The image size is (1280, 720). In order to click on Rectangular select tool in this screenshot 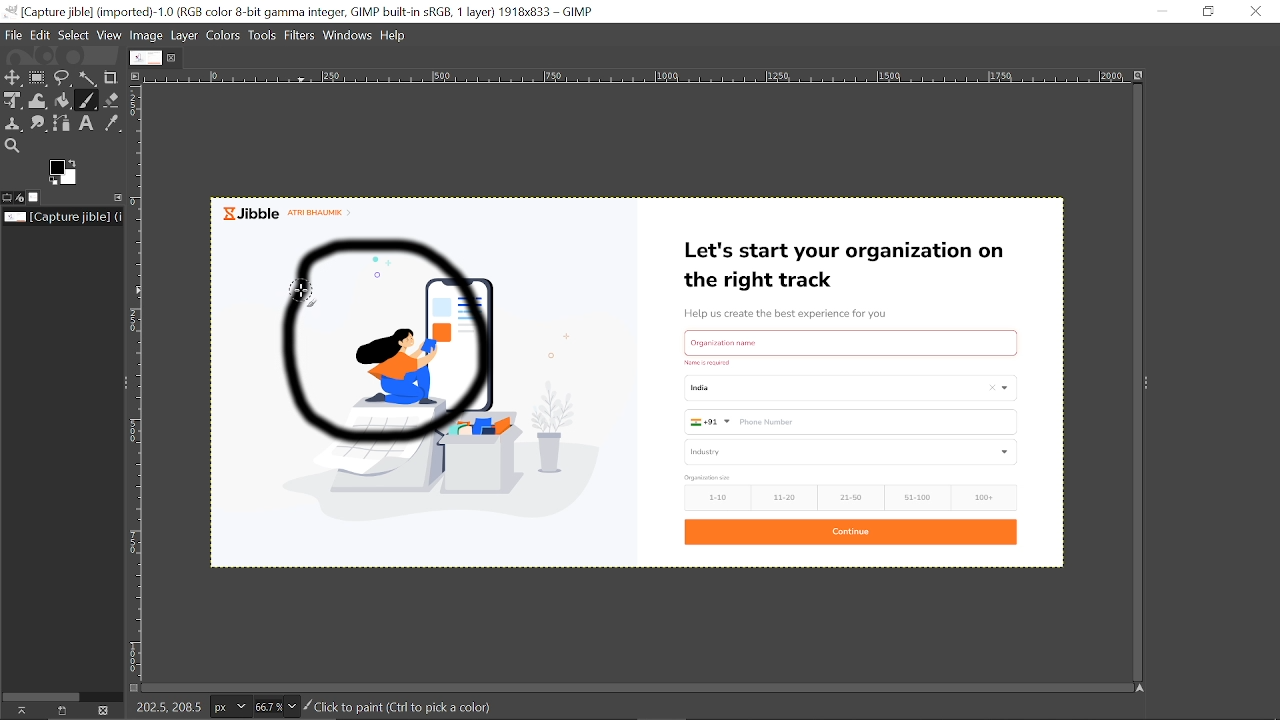, I will do `click(38, 78)`.